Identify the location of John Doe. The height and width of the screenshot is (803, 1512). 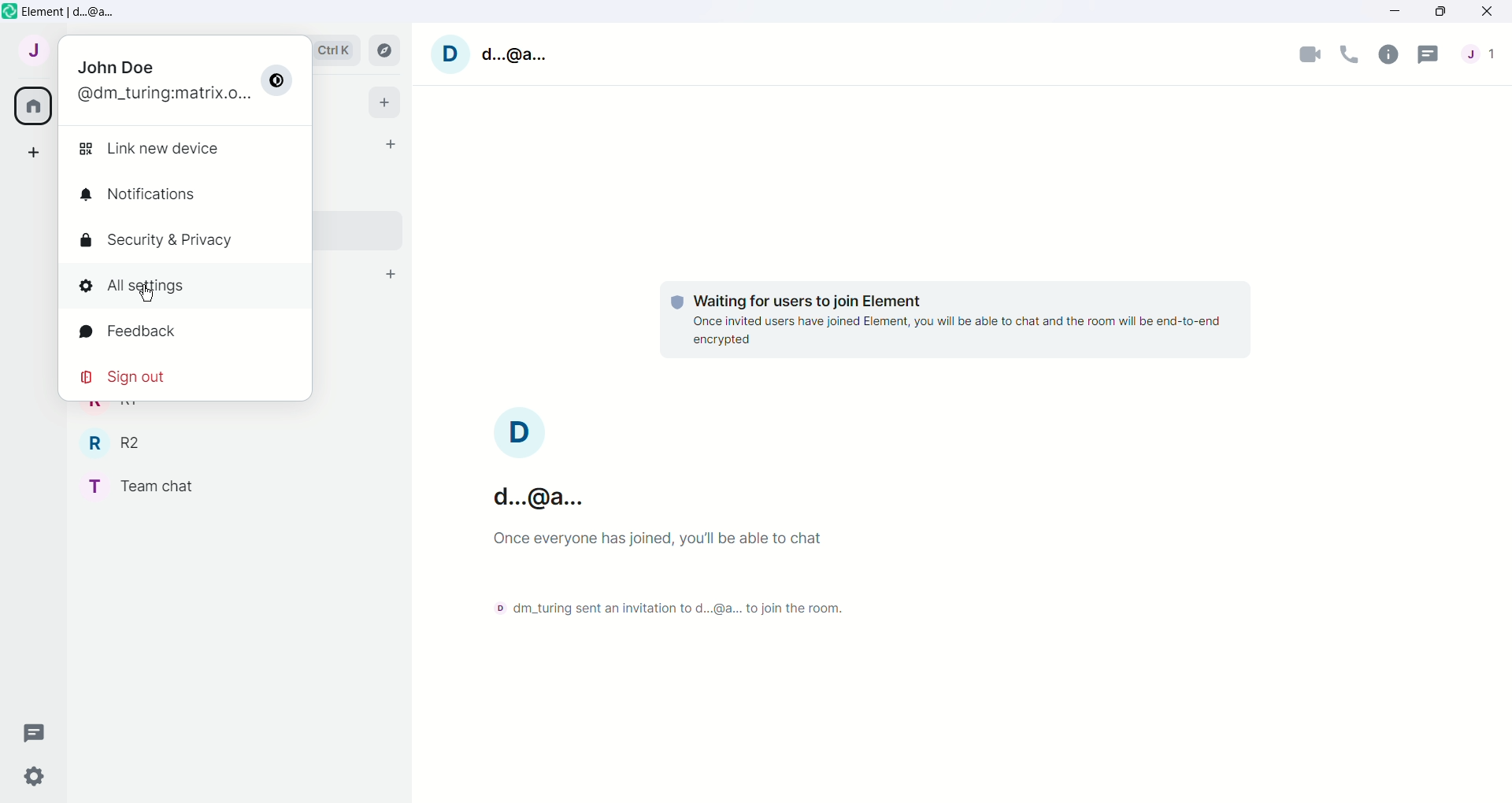
(116, 68).